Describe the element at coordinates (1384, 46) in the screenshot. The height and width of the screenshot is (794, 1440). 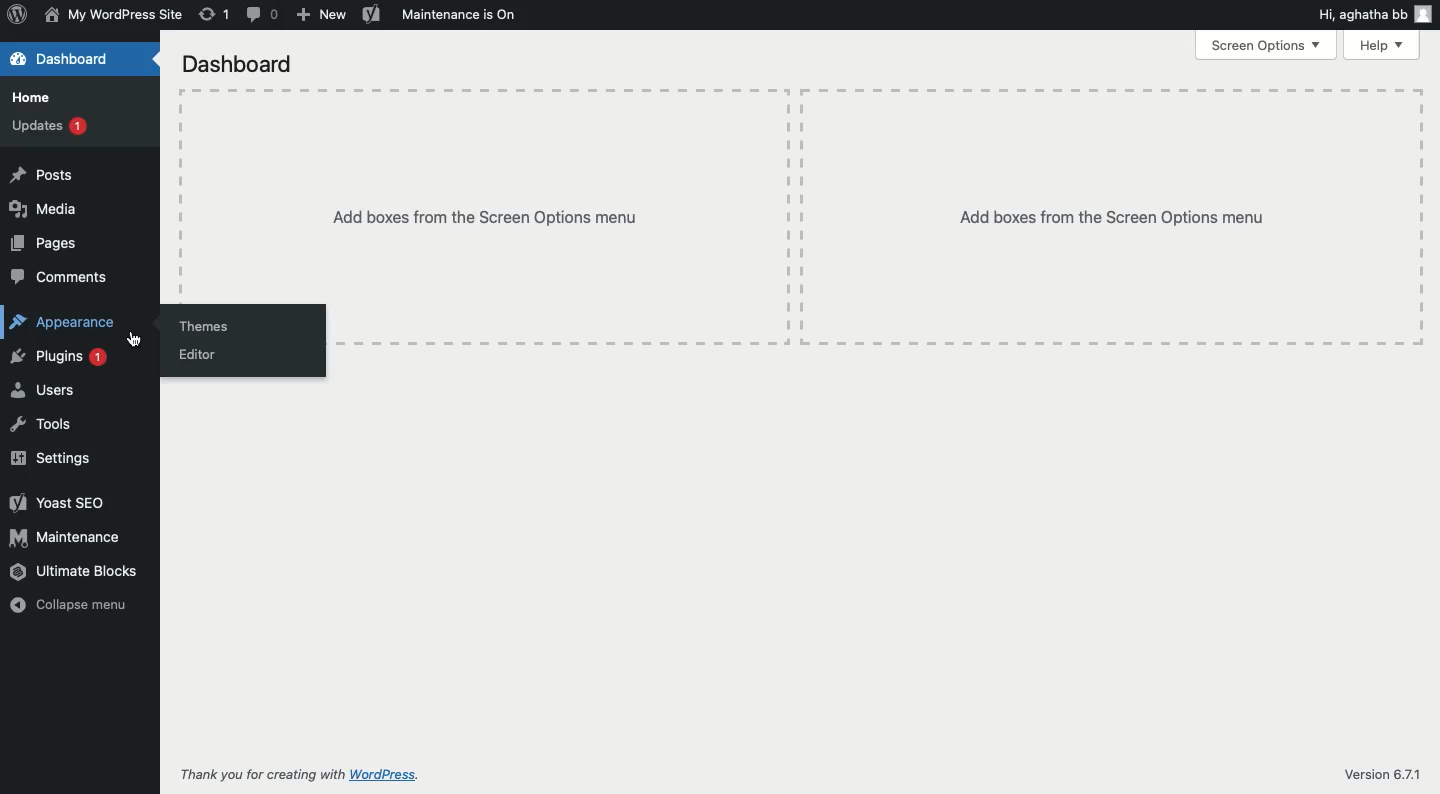
I see `Help` at that location.